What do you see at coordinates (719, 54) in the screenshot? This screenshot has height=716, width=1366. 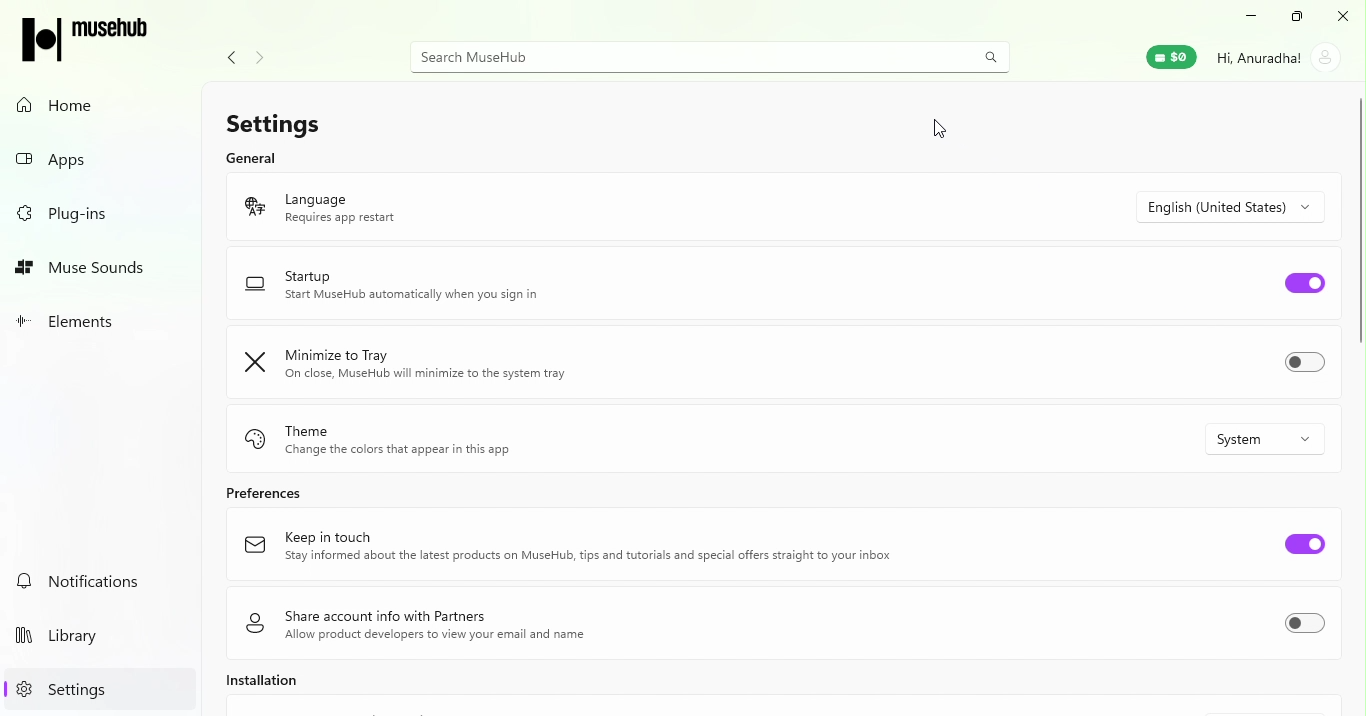 I see `Search bar` at bounding box center [719, 54].